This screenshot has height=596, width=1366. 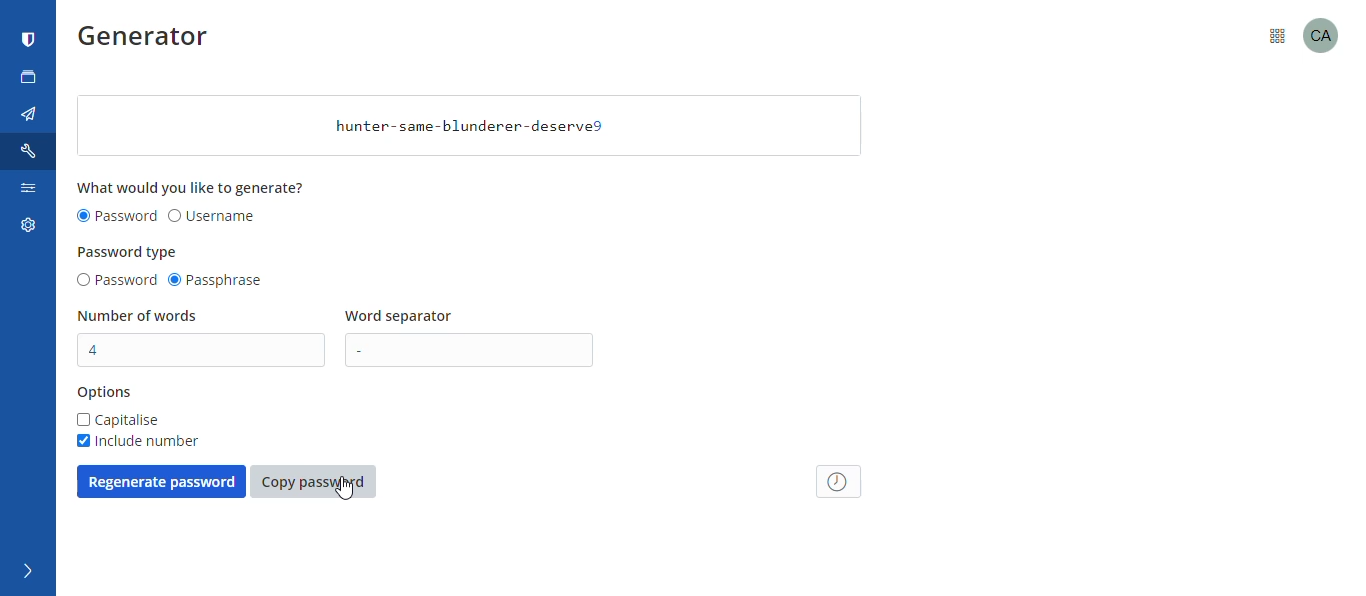 I want to click on number of words textbox, so click(x=203, y=350).